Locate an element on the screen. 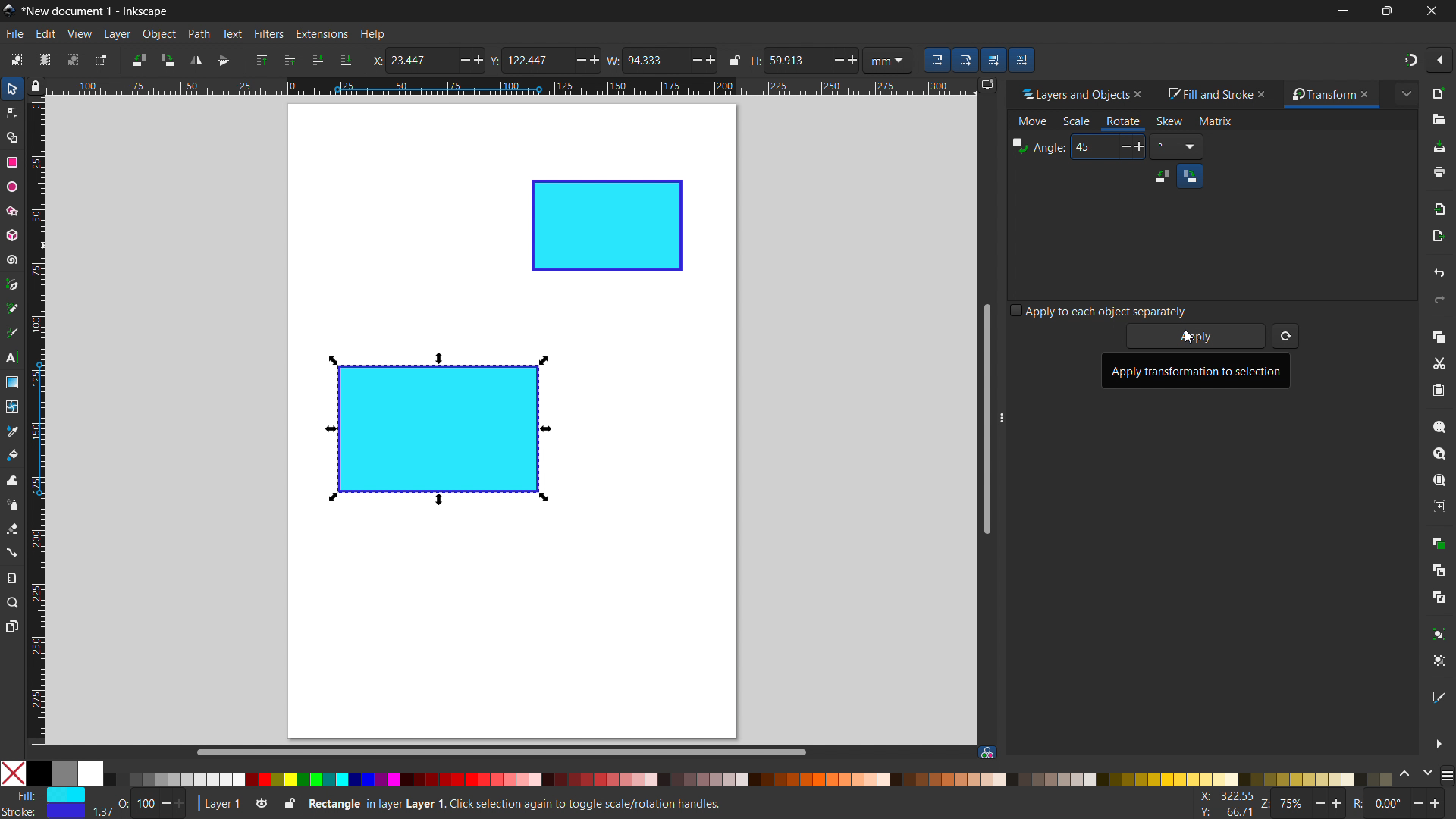 The height and width of the screenshot is (819, 1456). file is located at coordinates (15, 34).